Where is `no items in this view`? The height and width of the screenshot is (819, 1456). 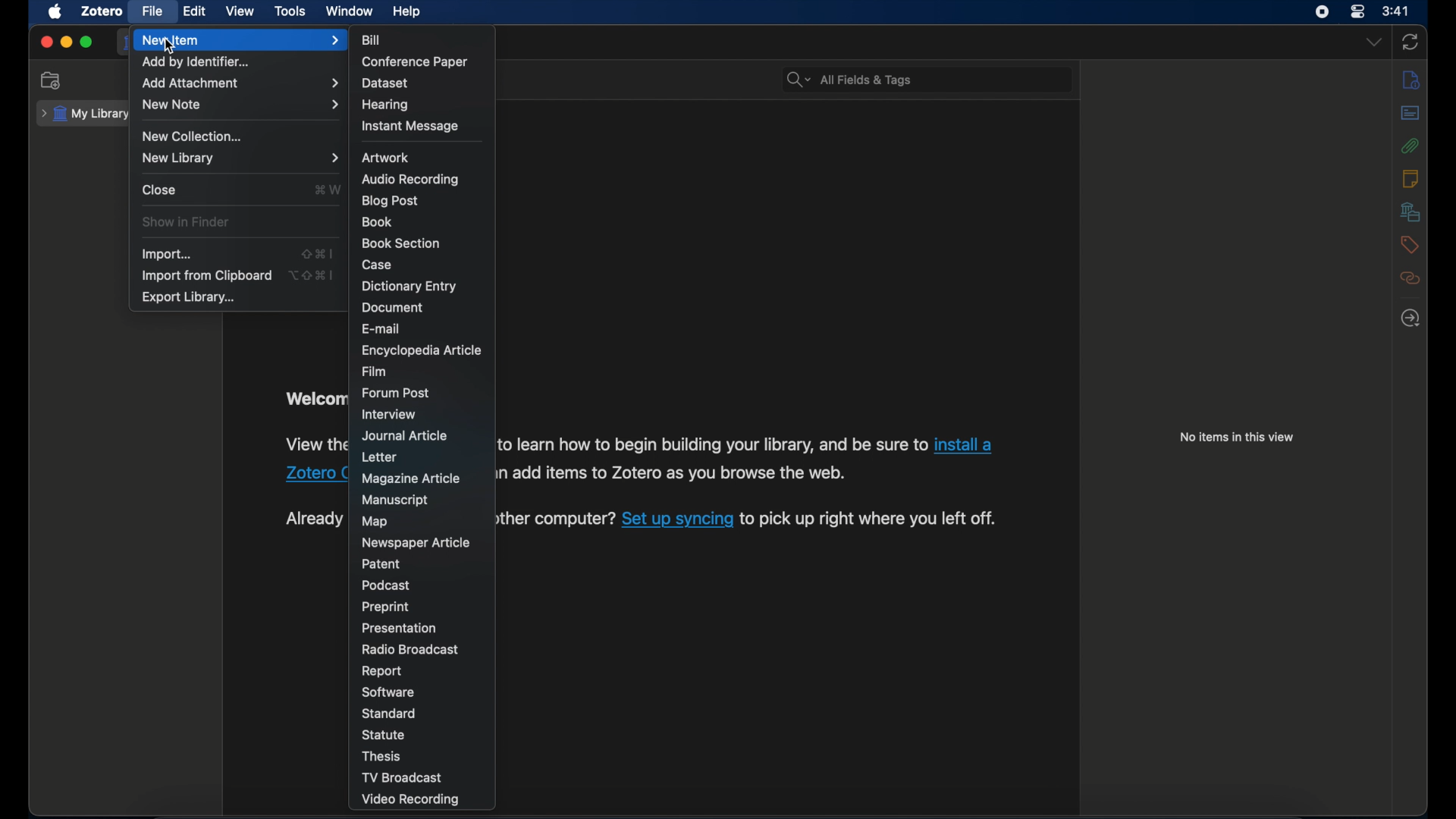
no items in this view is located at coordinates (1241, 437).